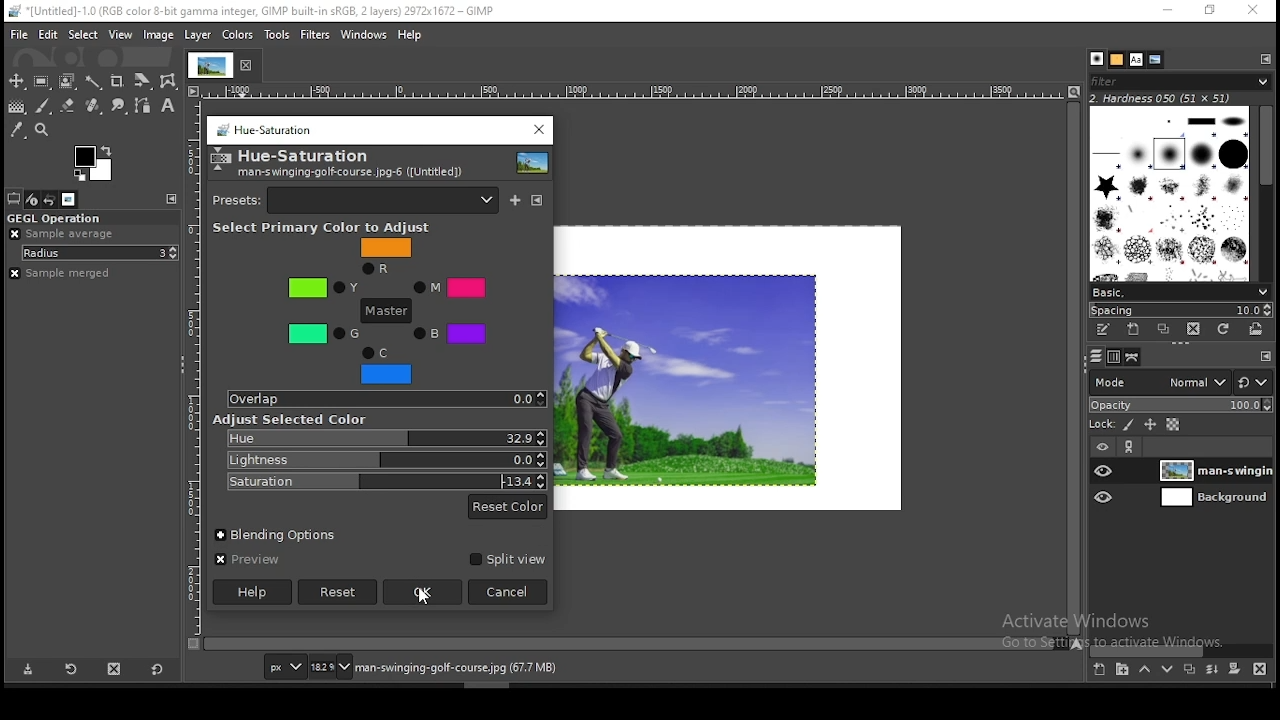  Describe the element at coordinates (16, 80) in the screenshot. I see `move tool` at that location.